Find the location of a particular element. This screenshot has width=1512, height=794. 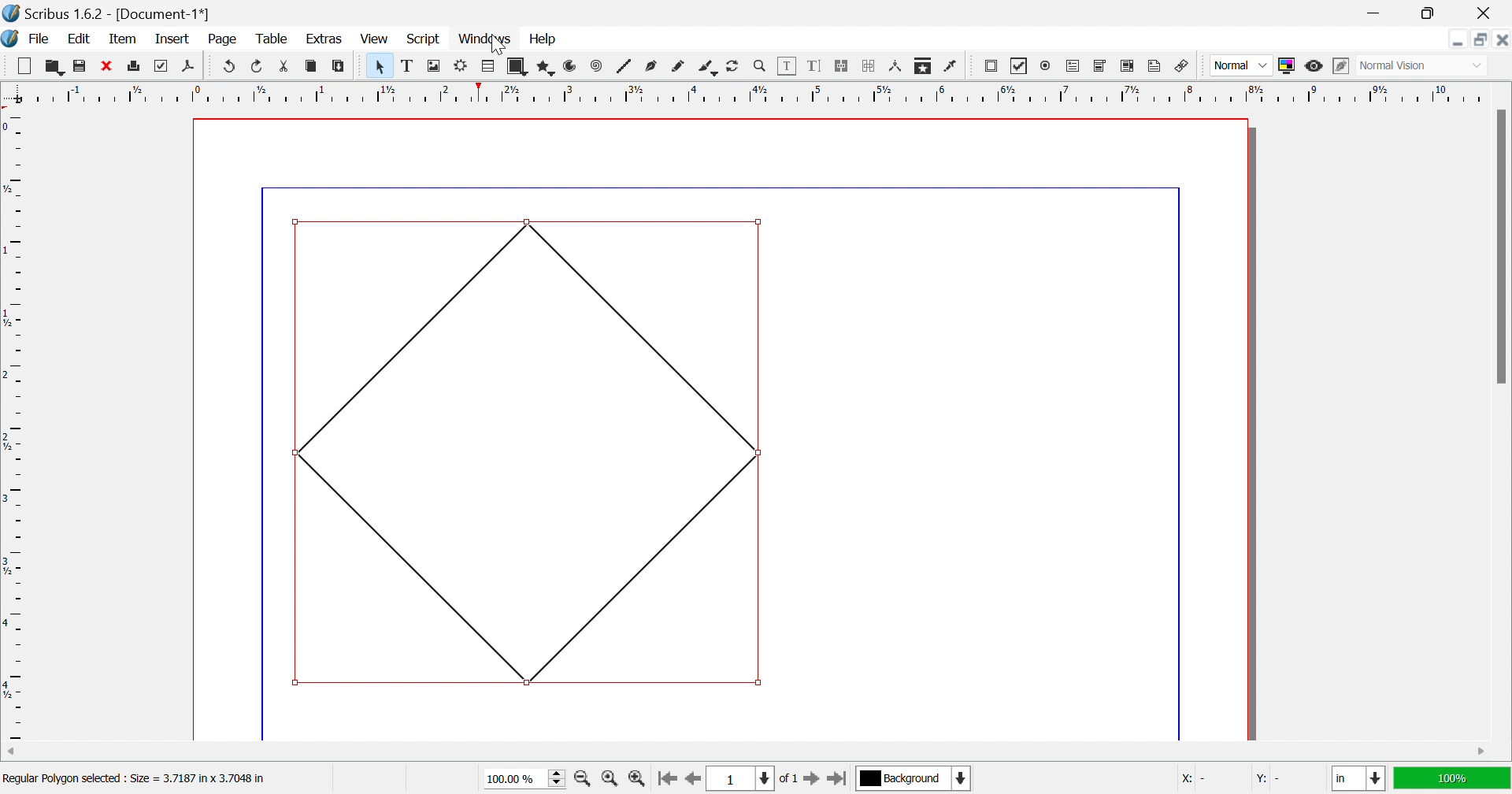

in is located at coordinates (1360, 780).